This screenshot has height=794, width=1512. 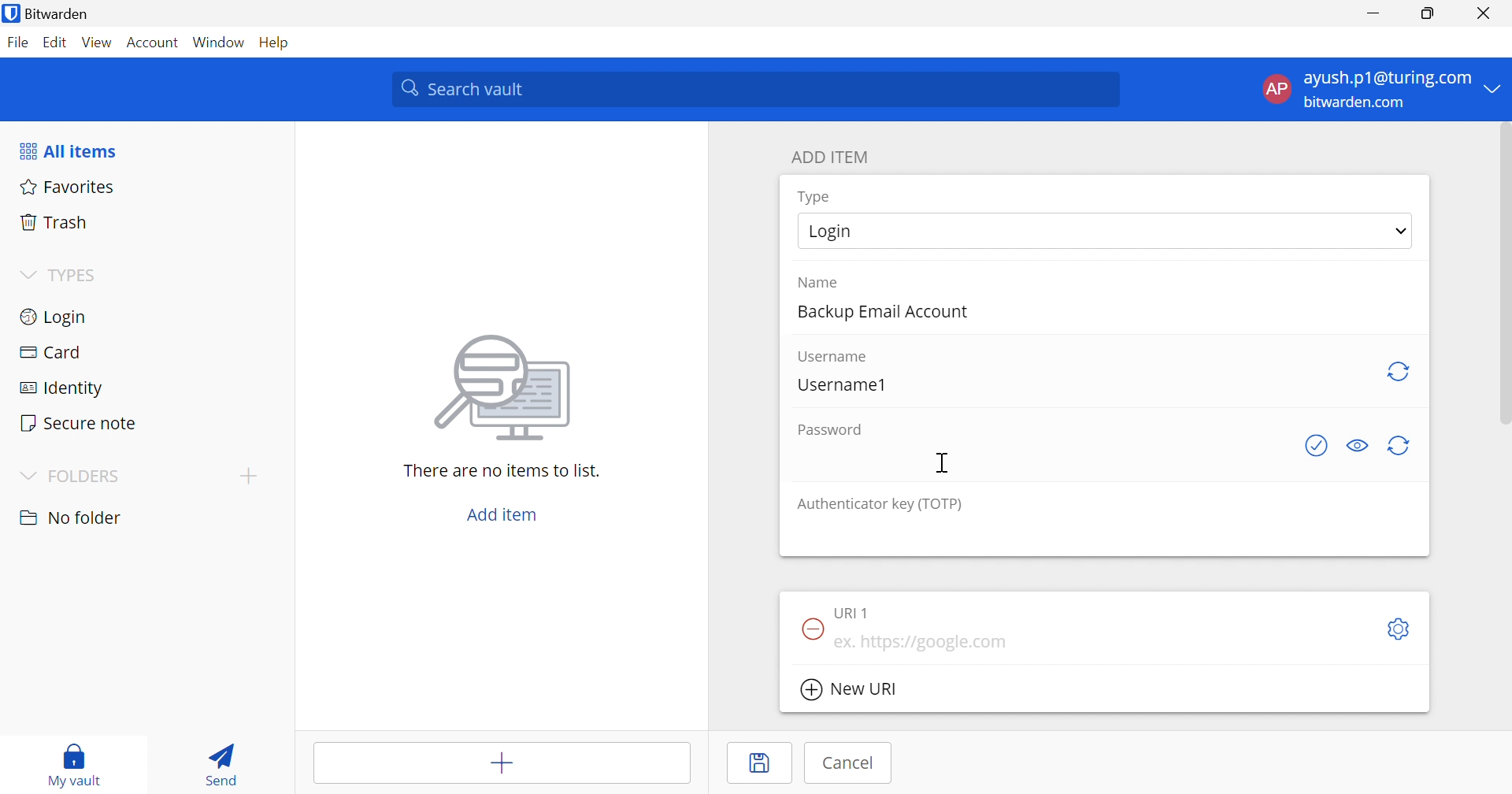 I want to click on Drop Down, so click(x=28, y=275).